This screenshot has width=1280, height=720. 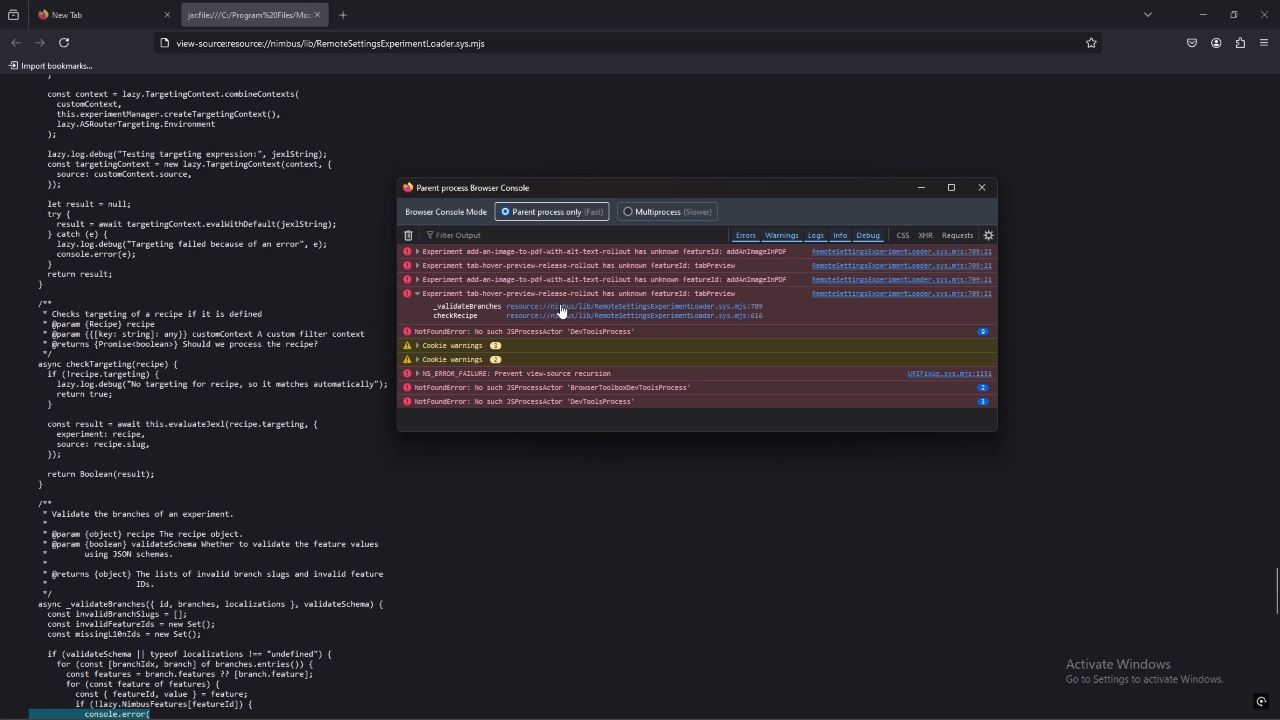 What do you see at coordinates (1204, 14) in the screenshot?
I see `minimize` at bounding box center [1204, 14].